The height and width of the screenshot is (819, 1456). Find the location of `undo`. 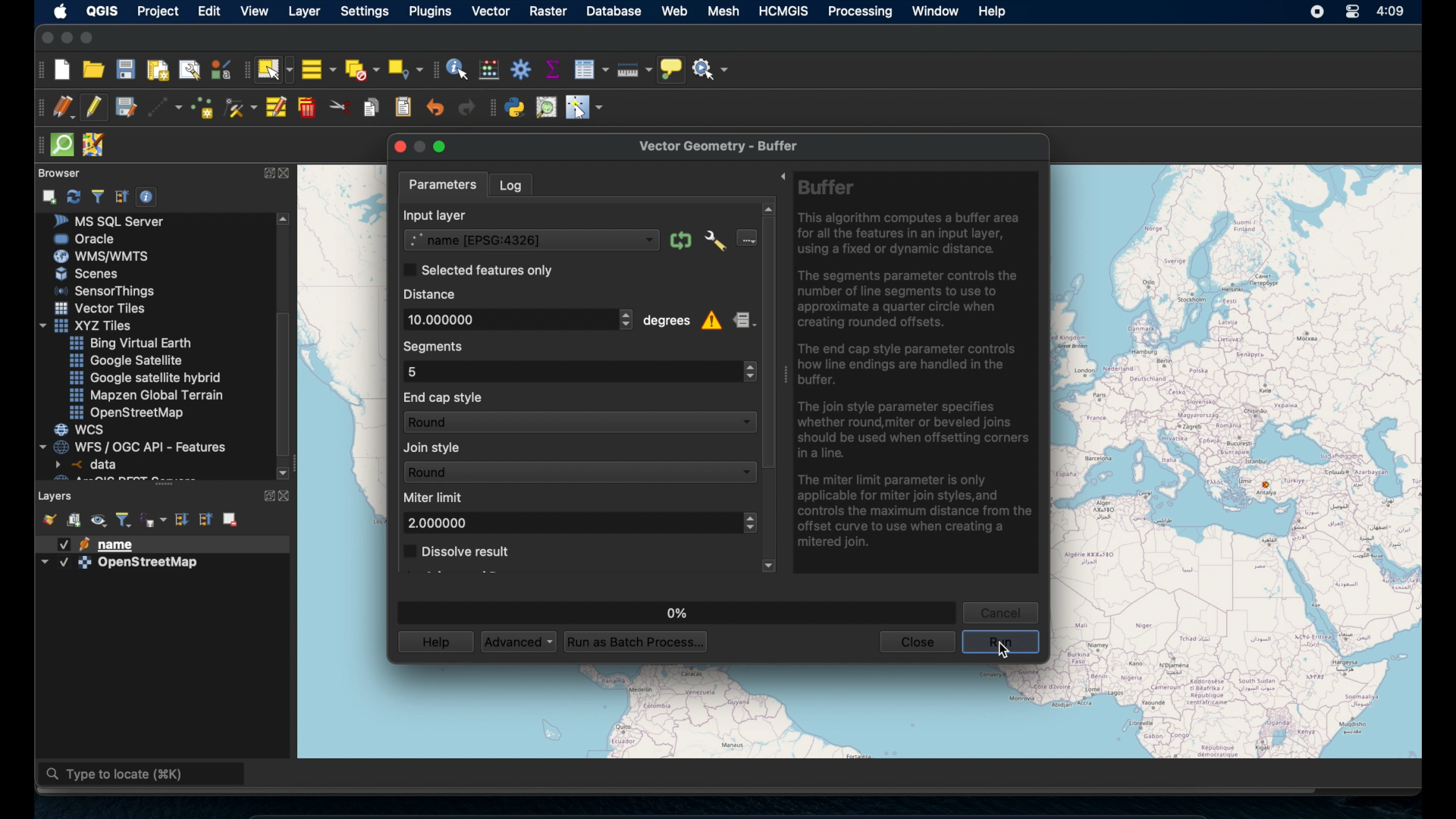

undo is located at coordinates (435, 108).